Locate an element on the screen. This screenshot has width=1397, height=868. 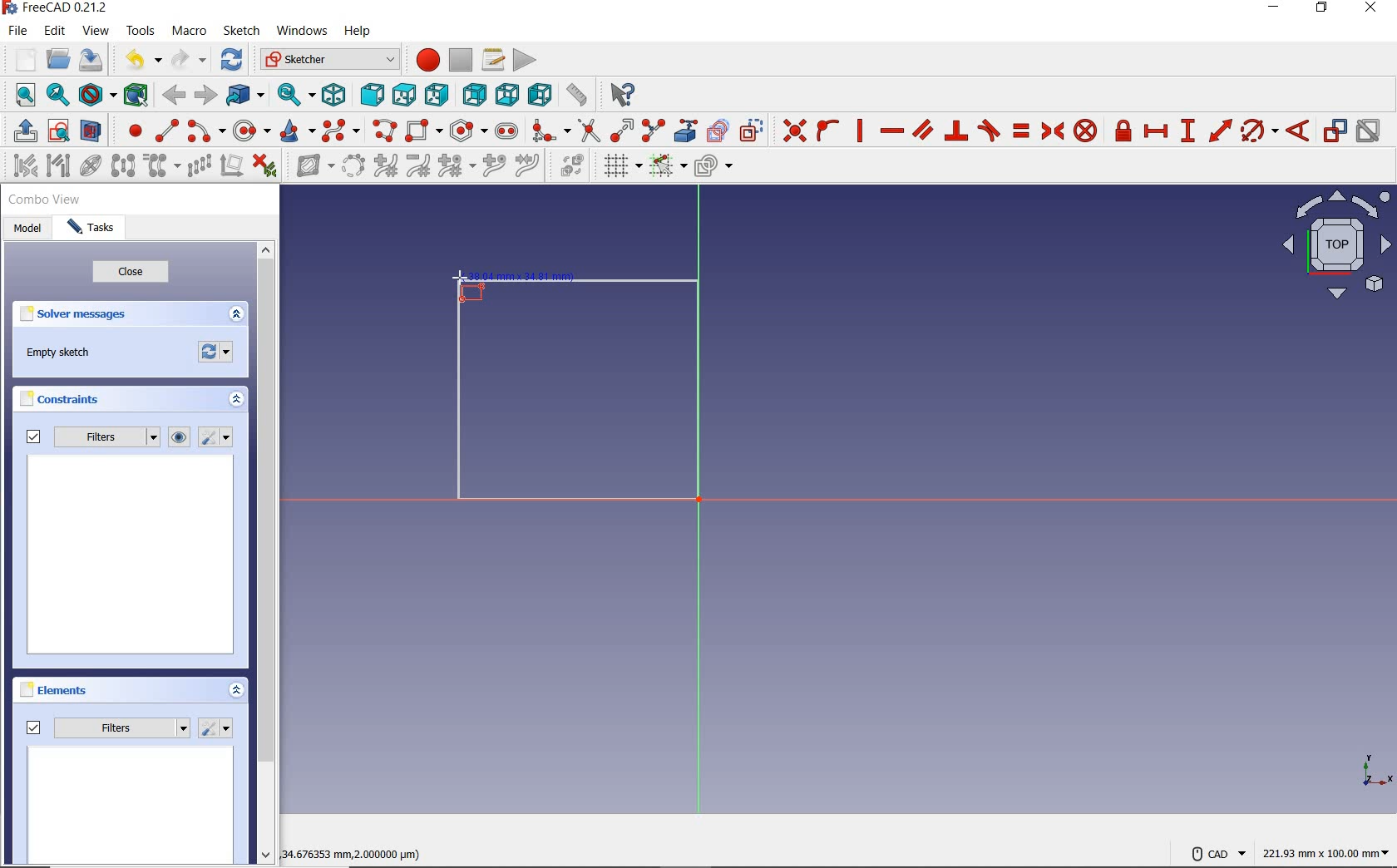
execute macro is located at coordinates (524, 60).